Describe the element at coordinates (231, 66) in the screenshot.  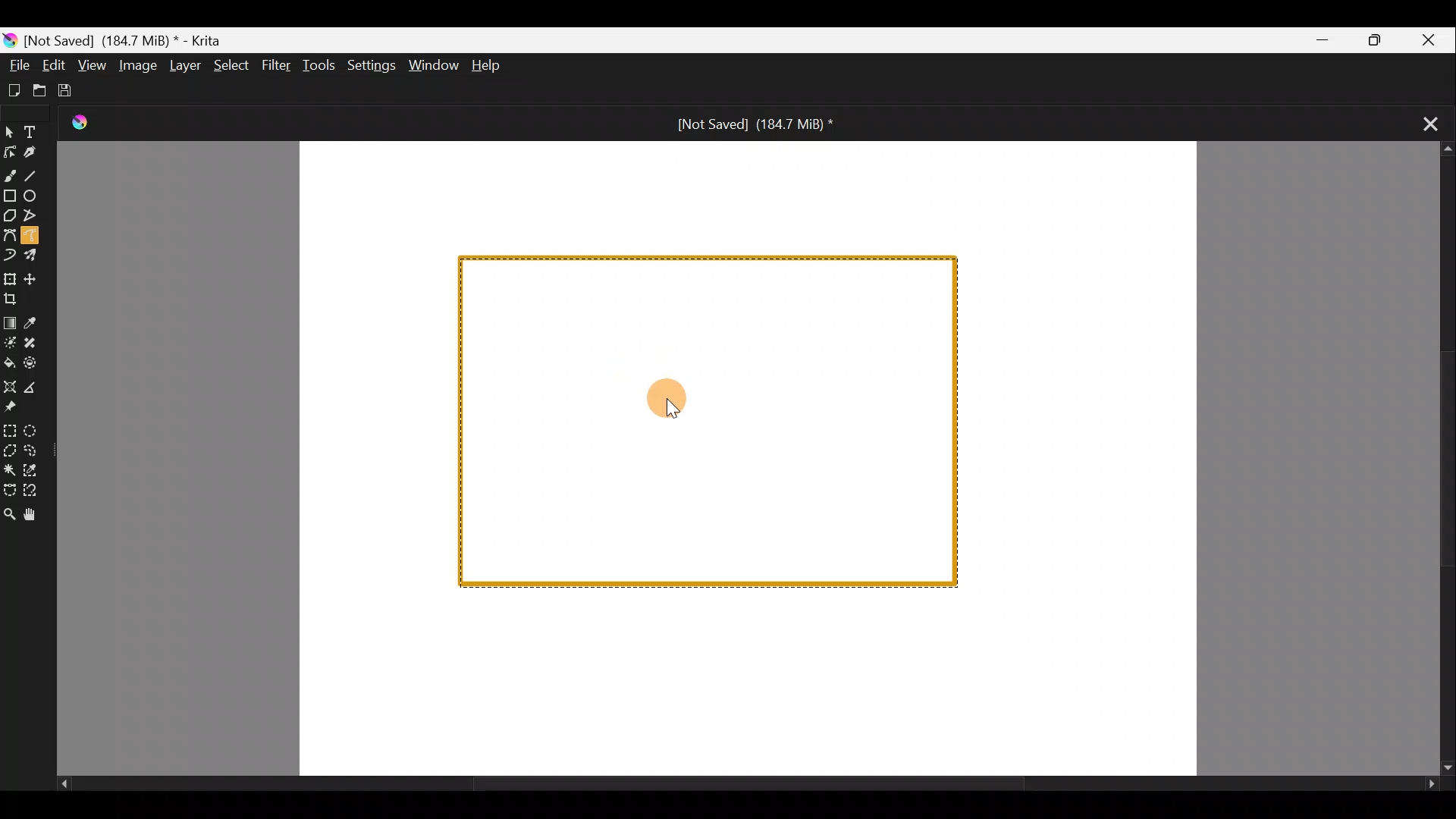
I see `Select` at that location.